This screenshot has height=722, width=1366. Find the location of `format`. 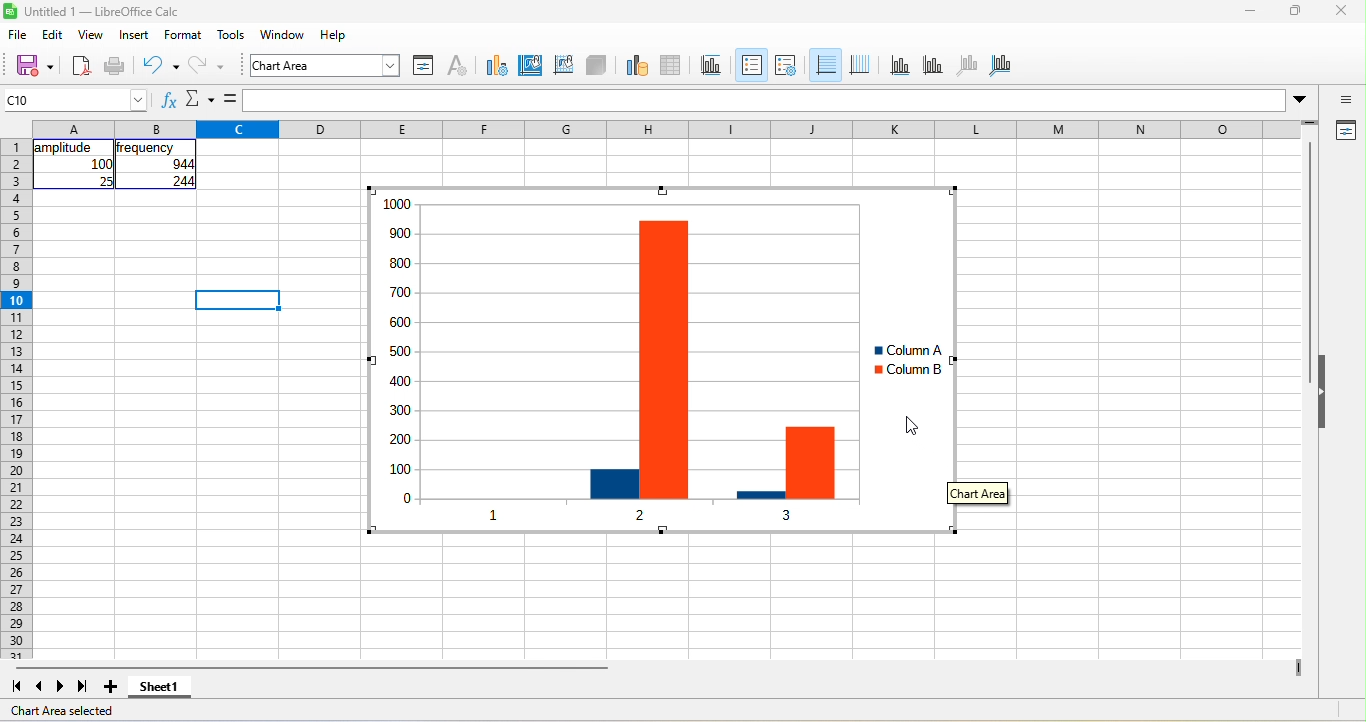

format is located at coordinates (183, 34).